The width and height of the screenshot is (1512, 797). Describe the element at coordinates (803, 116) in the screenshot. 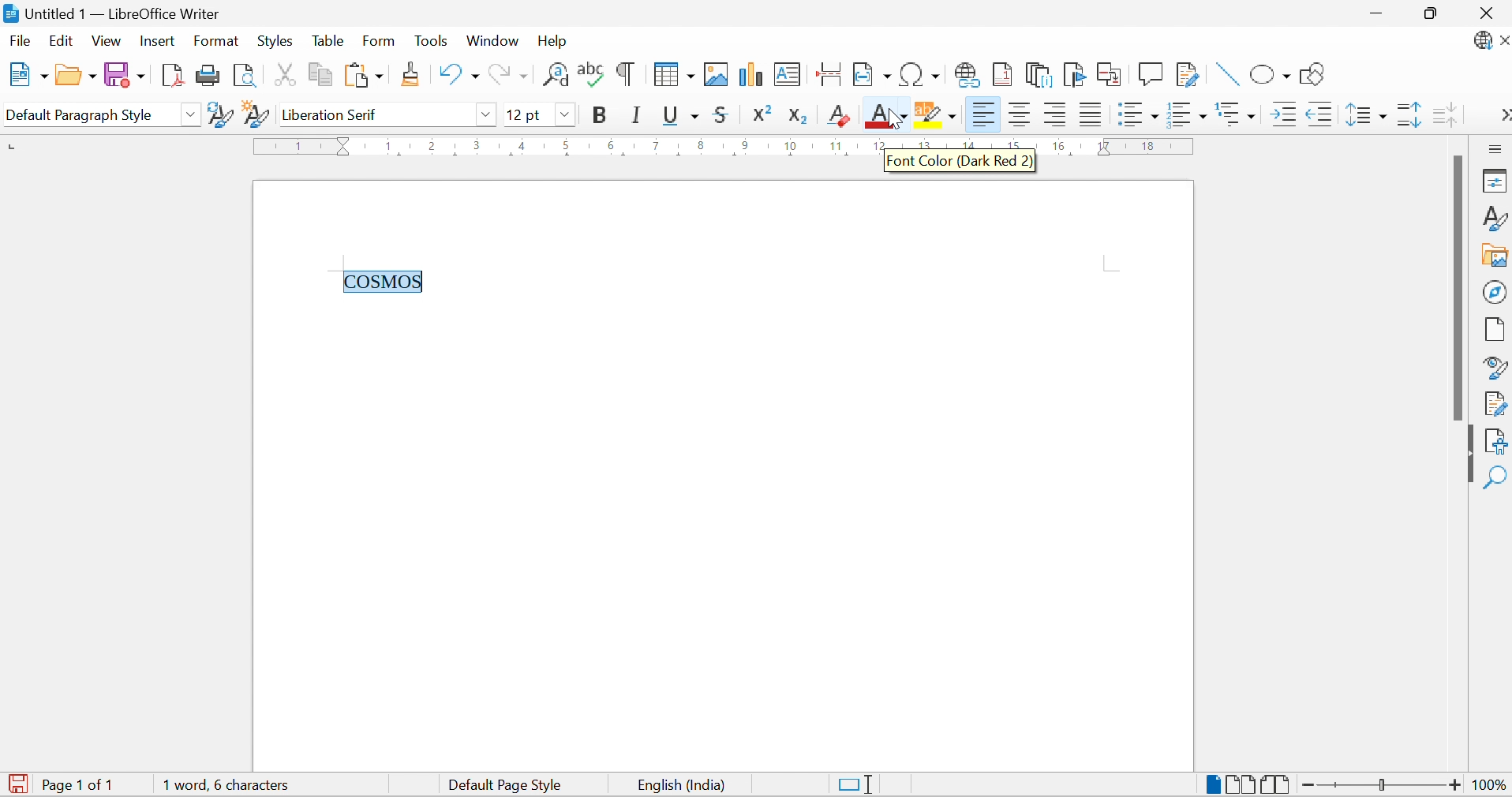

I see `Subscript` at that location.